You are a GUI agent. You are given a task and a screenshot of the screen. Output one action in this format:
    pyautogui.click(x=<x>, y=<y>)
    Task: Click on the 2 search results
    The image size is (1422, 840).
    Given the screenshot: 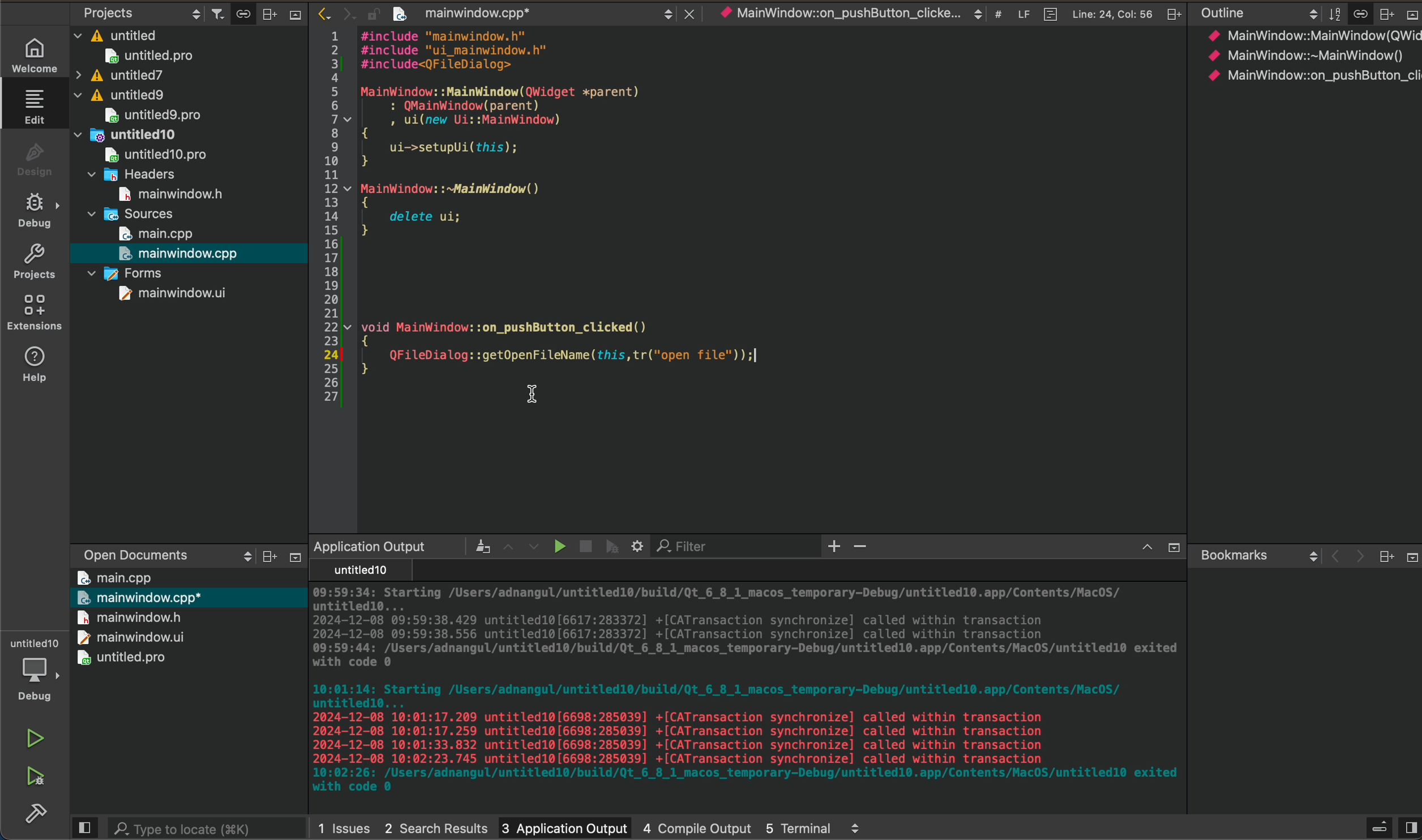 What is the action you would take?
    pyautogui.click(x=435, y=824)
    